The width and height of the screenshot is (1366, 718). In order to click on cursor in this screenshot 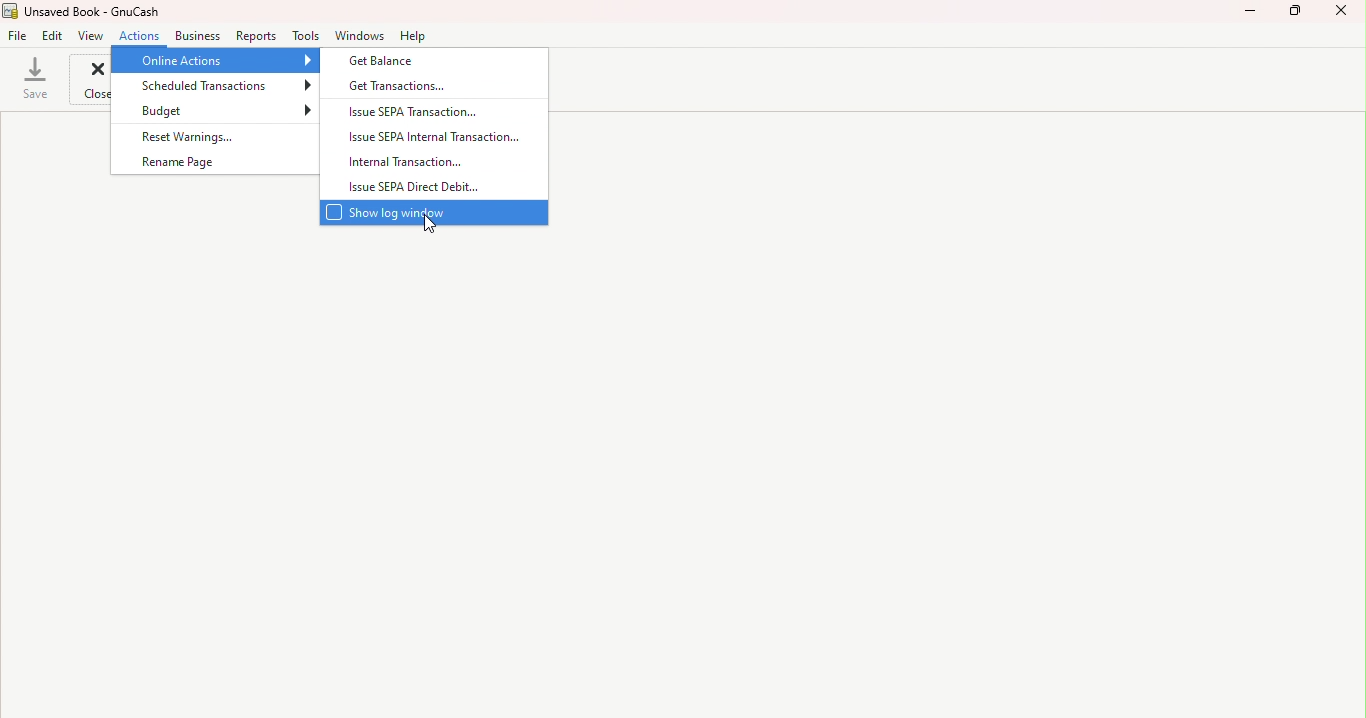, I will do `click(432, 226)`.